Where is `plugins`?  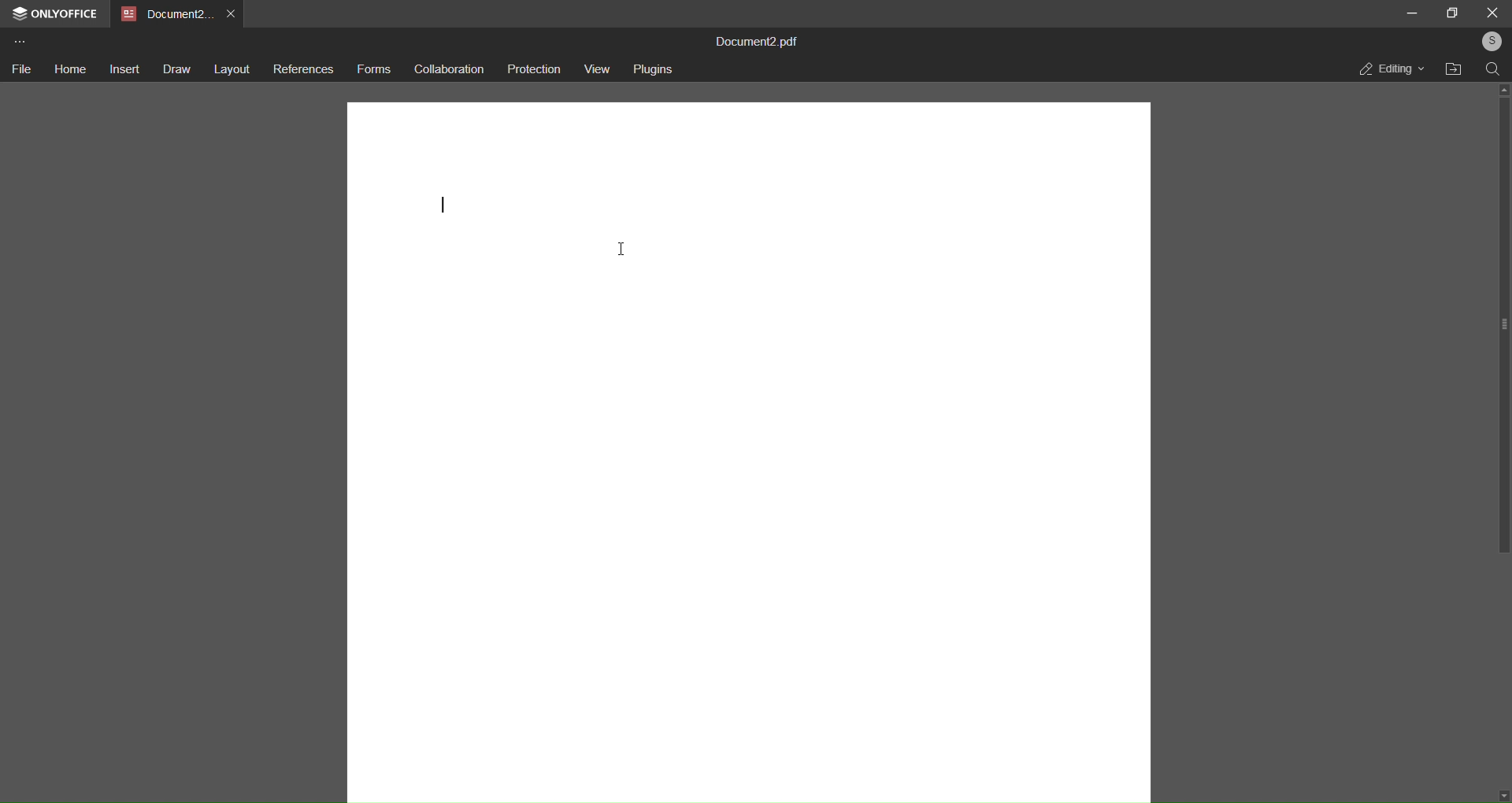 plugins is located at coordinates (655, 68).